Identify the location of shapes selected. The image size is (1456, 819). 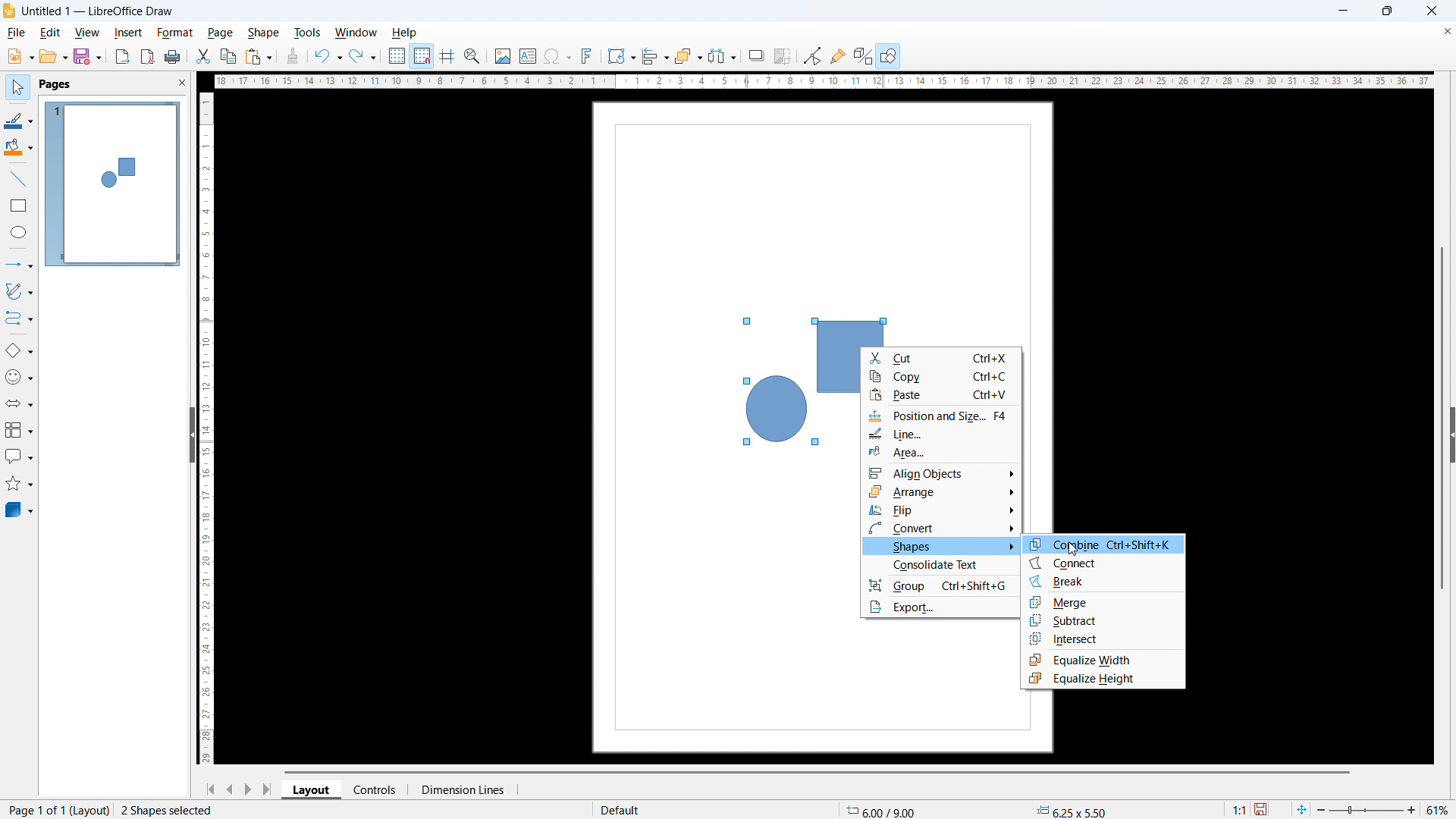
(791, 382).